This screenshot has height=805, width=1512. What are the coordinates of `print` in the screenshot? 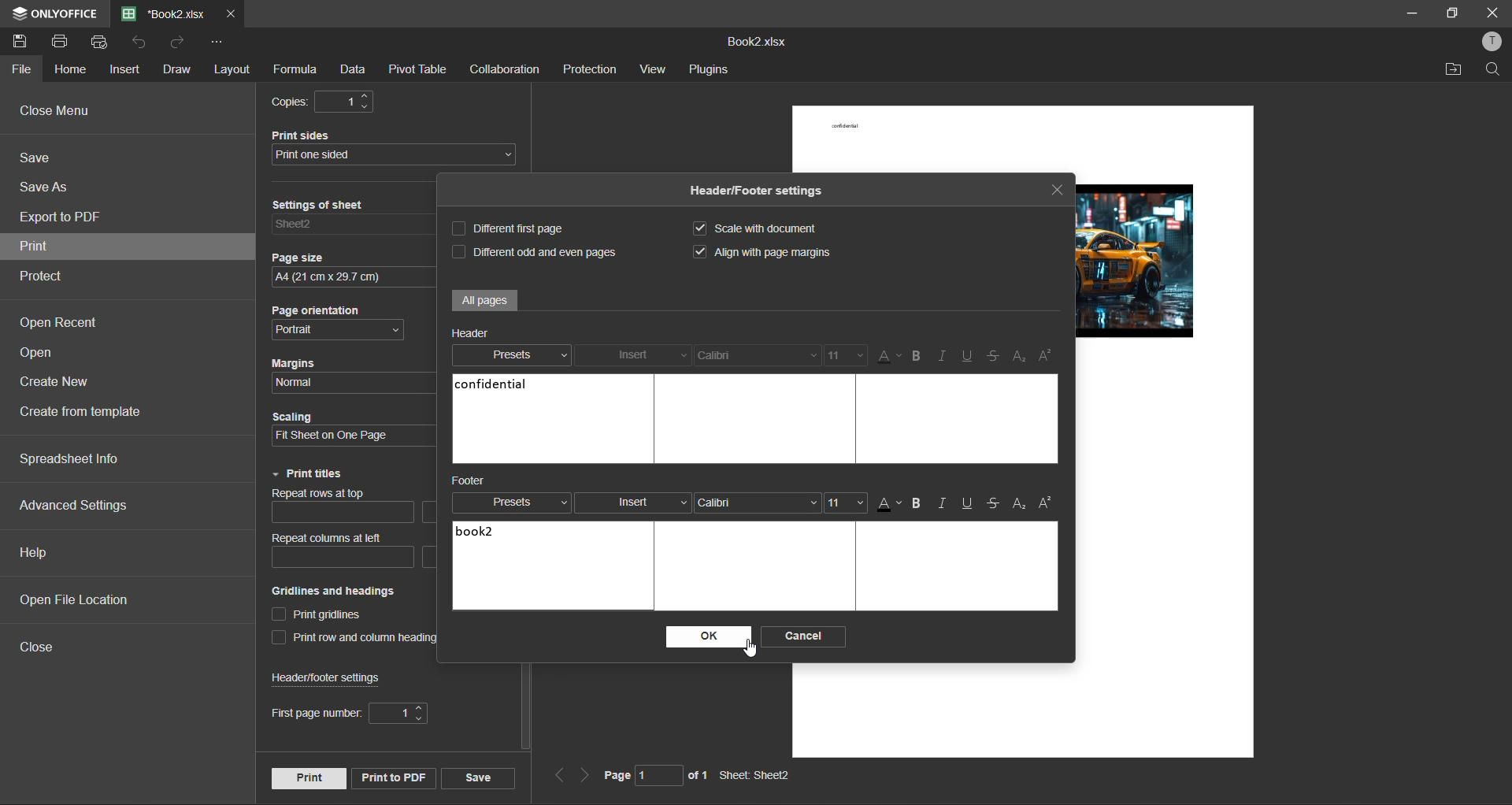 It's located at (307, 778).